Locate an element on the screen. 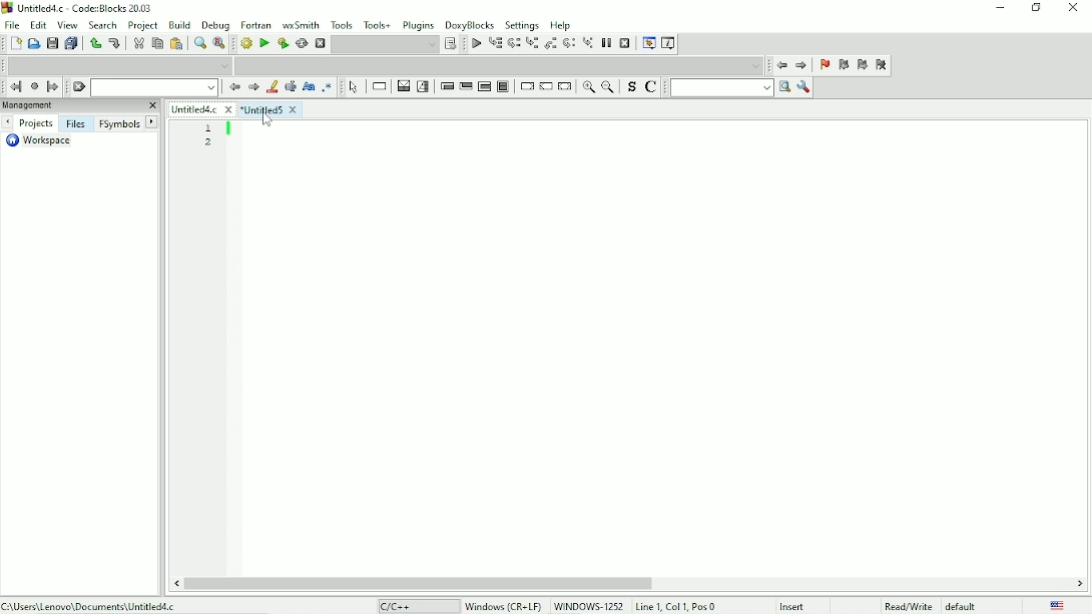 This screenshot has height=614, width=1092. Stop debugger is located at coordinates (625, 43).